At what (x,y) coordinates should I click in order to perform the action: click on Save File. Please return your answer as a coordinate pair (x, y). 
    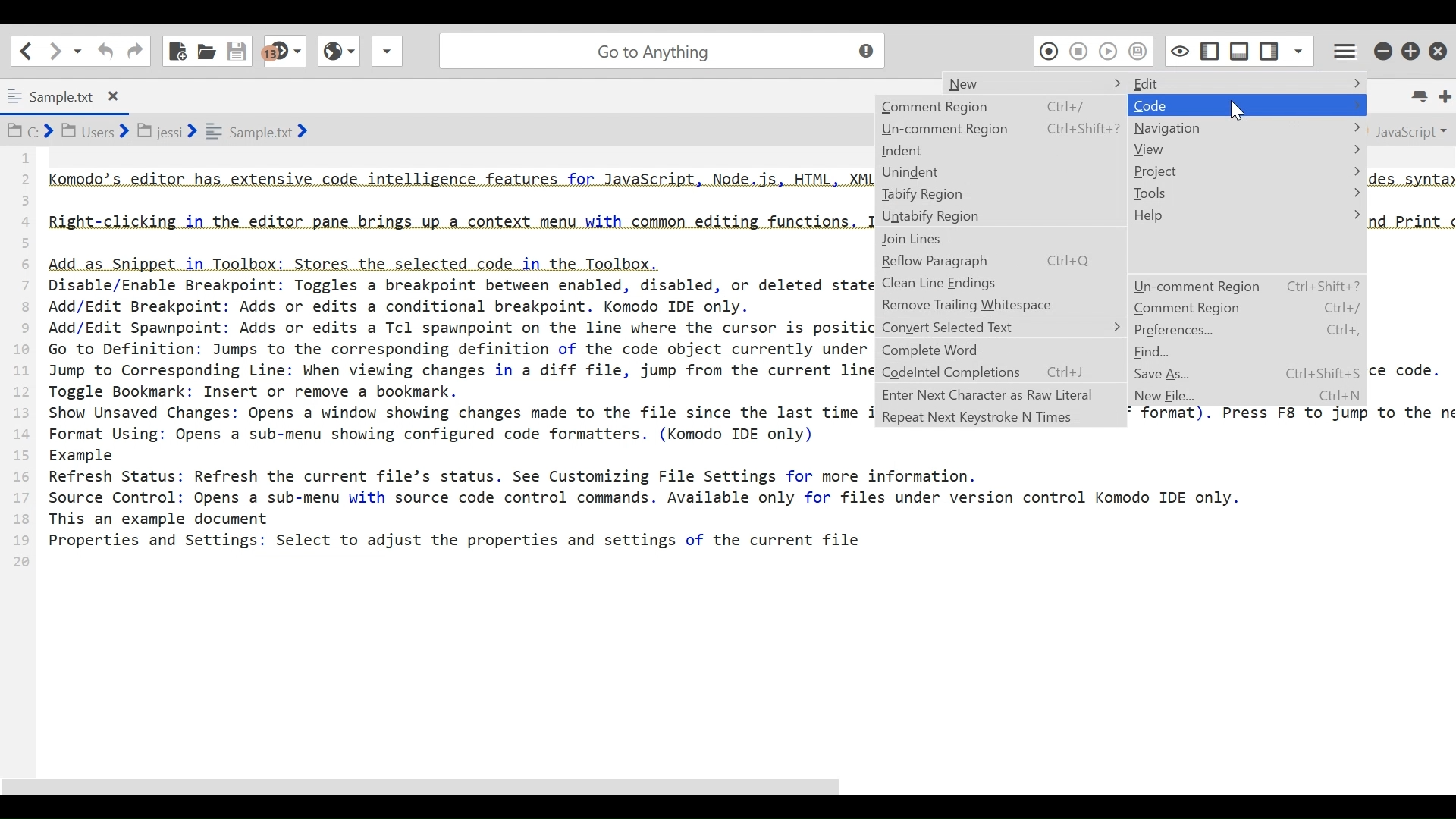
    Looking at the image, I should click on (239, 49).